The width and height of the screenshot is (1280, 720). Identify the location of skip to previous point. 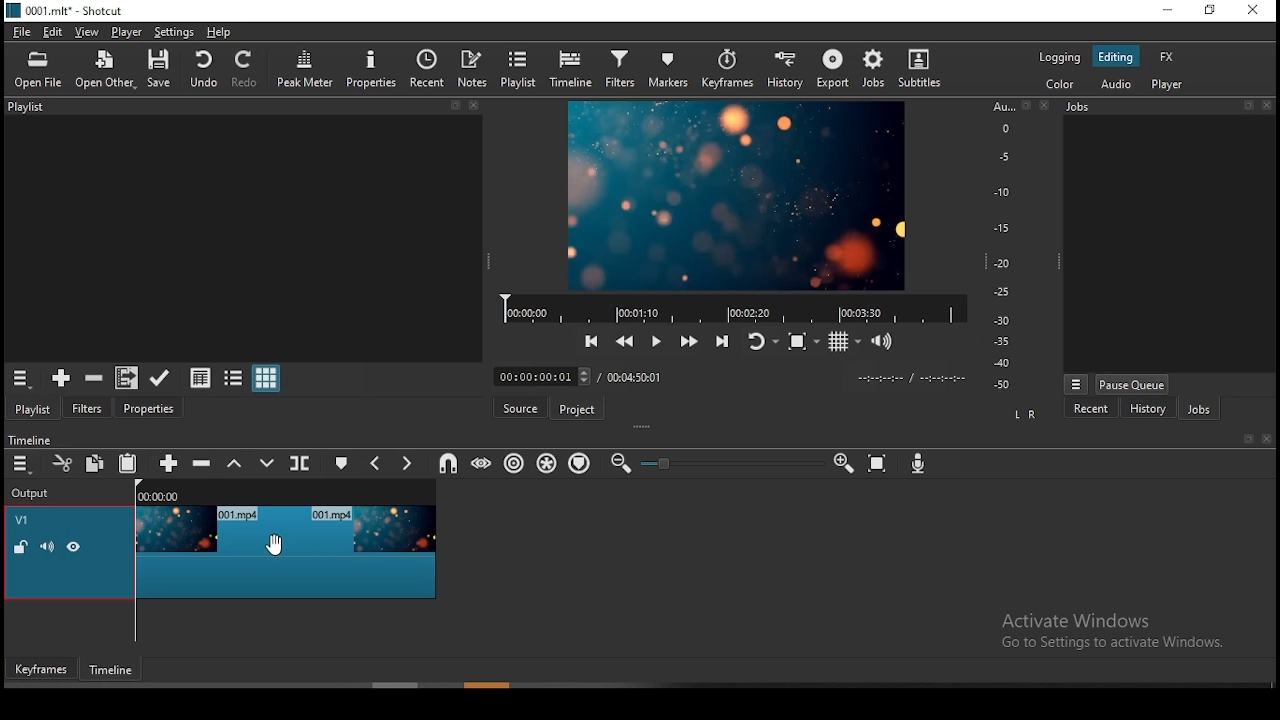
(593, 338).